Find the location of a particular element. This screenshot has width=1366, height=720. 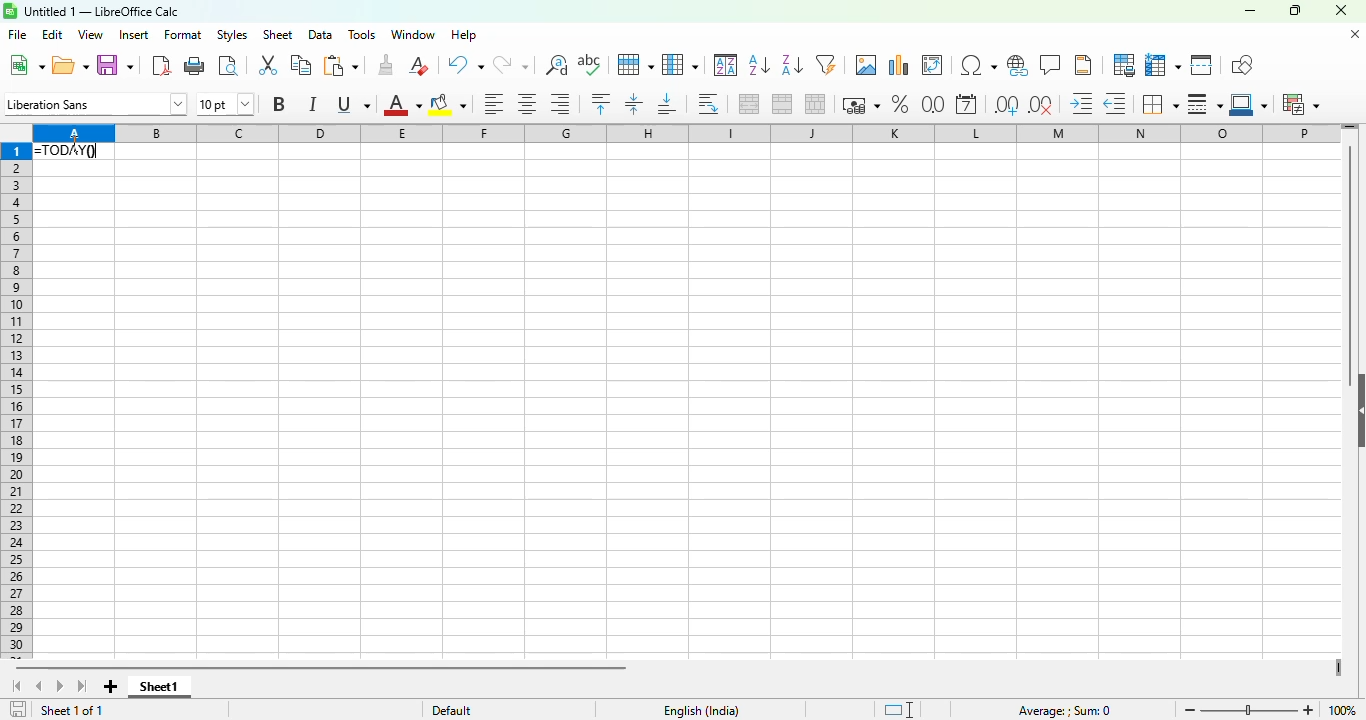

help is located at coordinates (464, 35).